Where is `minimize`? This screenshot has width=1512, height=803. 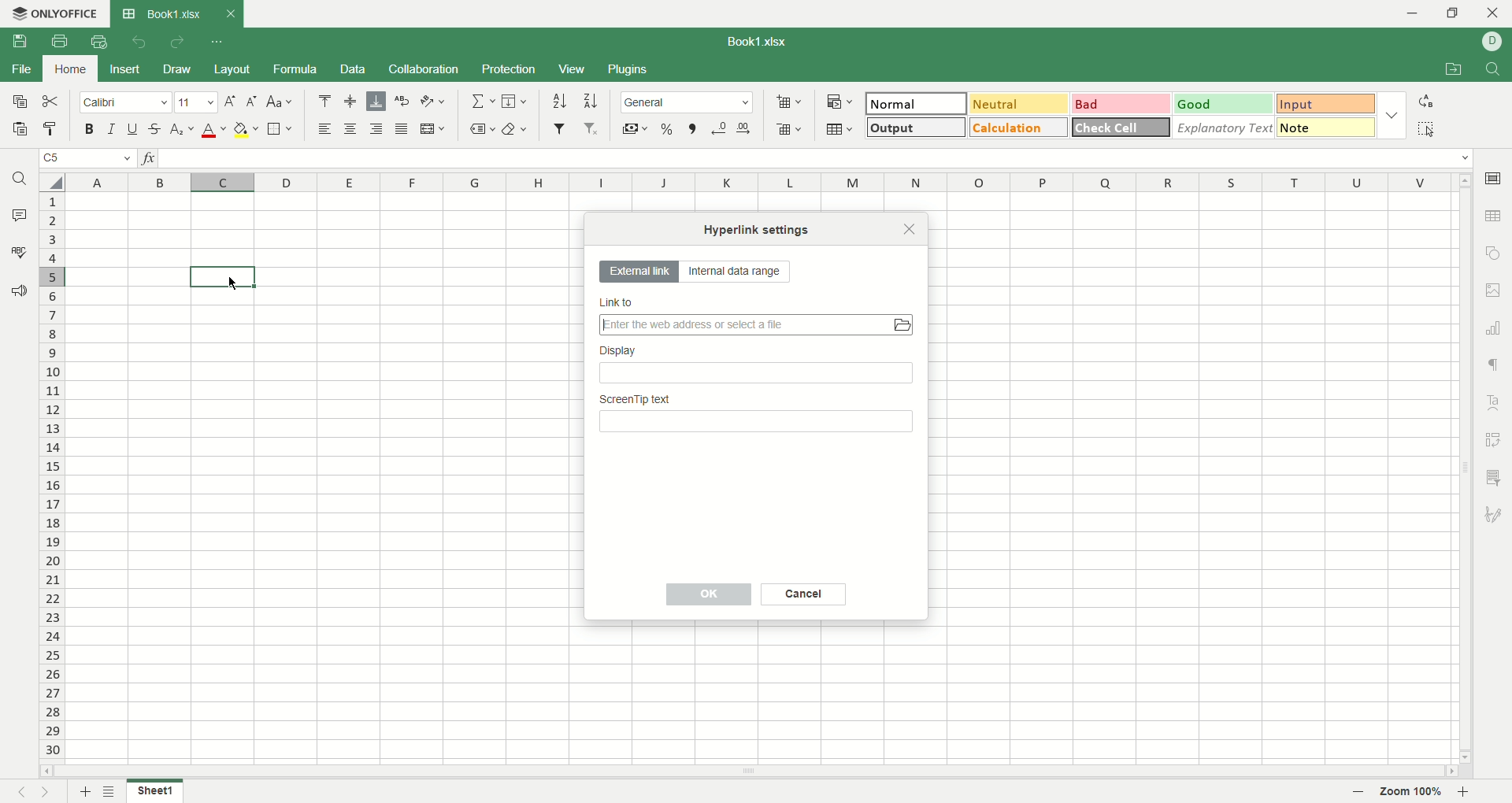
minimize is located at coordinates (1406, 13).